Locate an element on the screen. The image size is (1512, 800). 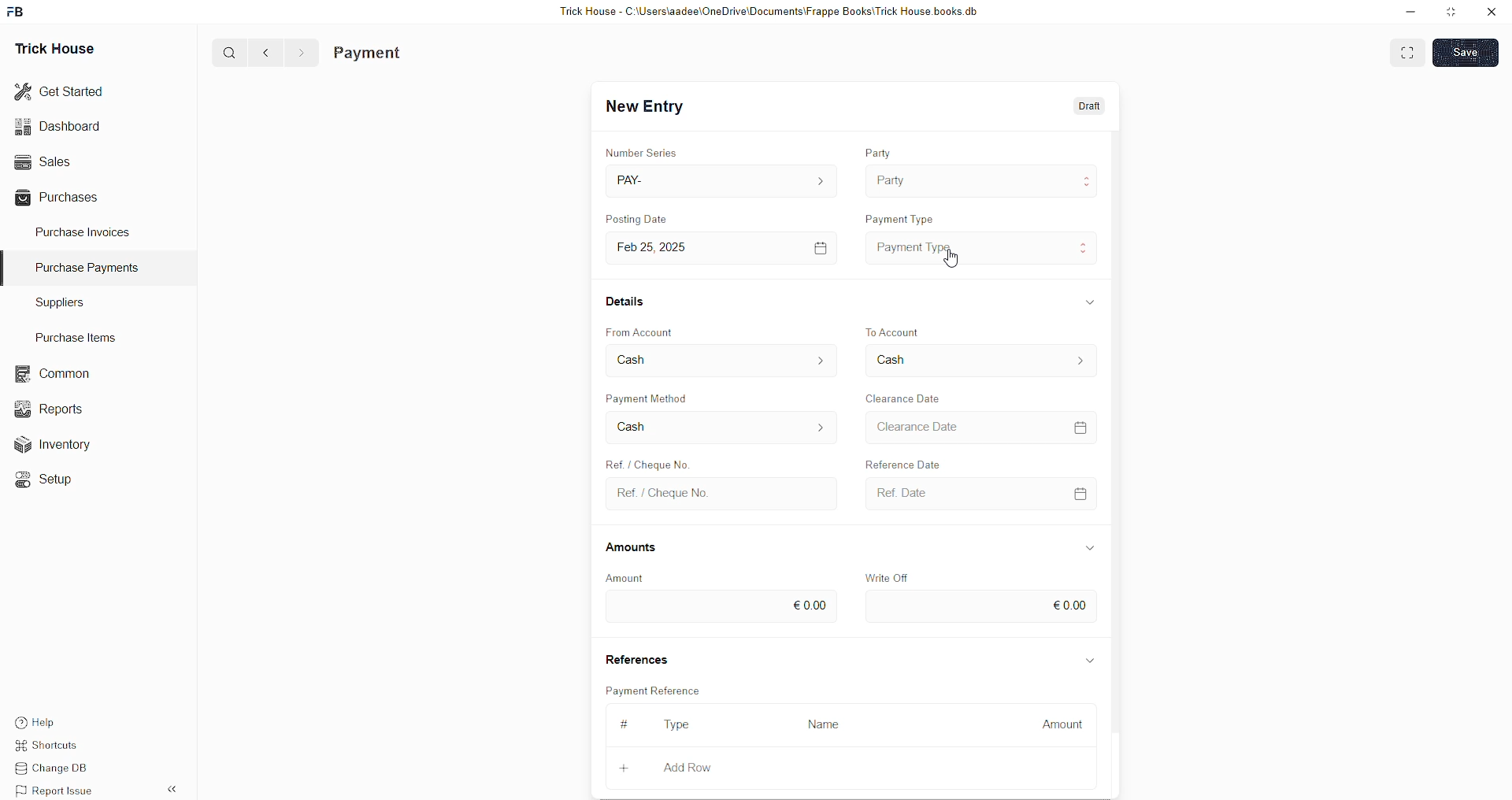
To Account is located at coordinates (907, 359).